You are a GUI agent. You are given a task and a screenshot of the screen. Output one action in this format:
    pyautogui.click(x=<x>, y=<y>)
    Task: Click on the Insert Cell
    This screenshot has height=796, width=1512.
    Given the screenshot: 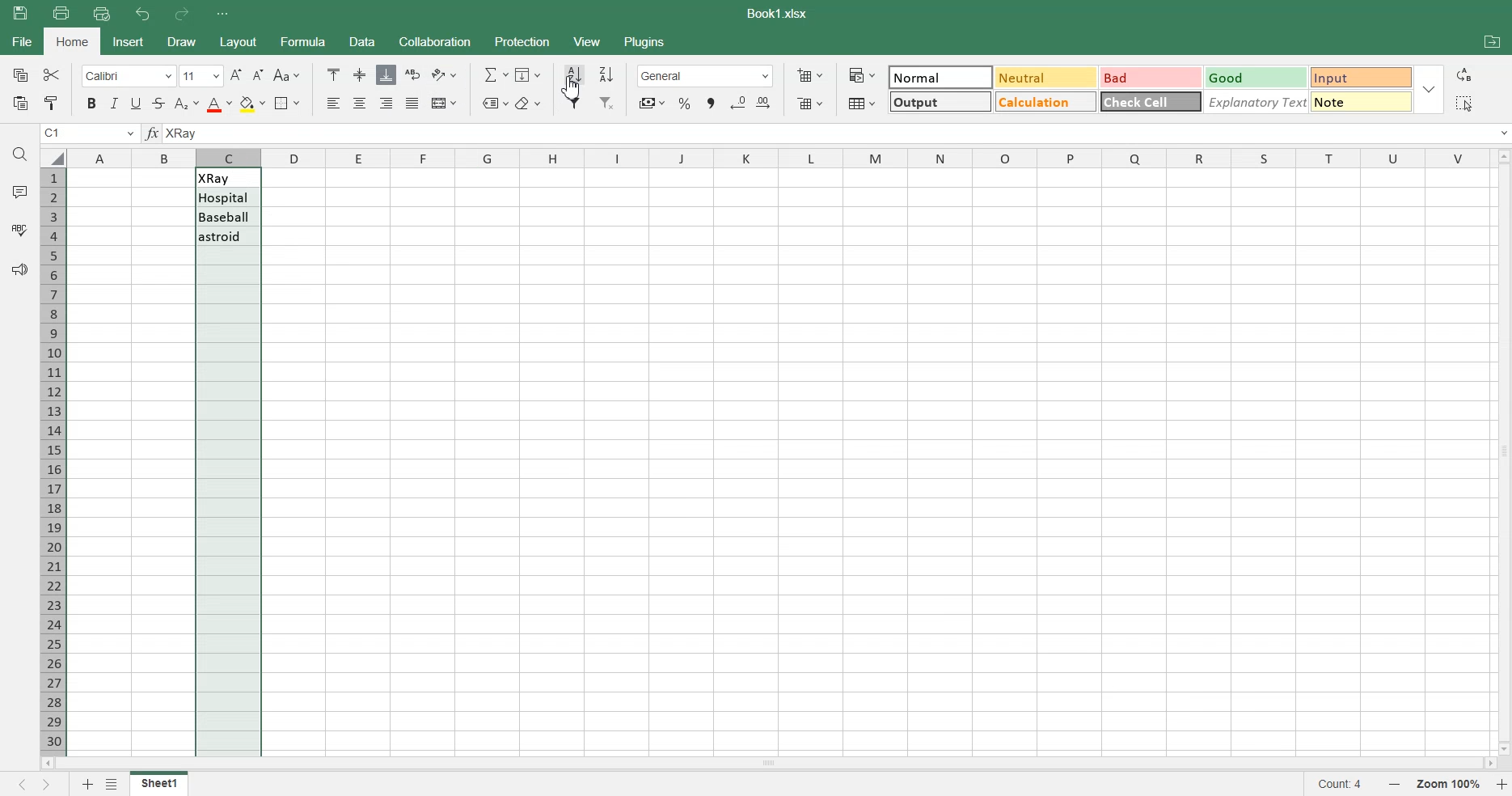 What is the action you would take?
    pyautogui.click(x=809, y=75)
    